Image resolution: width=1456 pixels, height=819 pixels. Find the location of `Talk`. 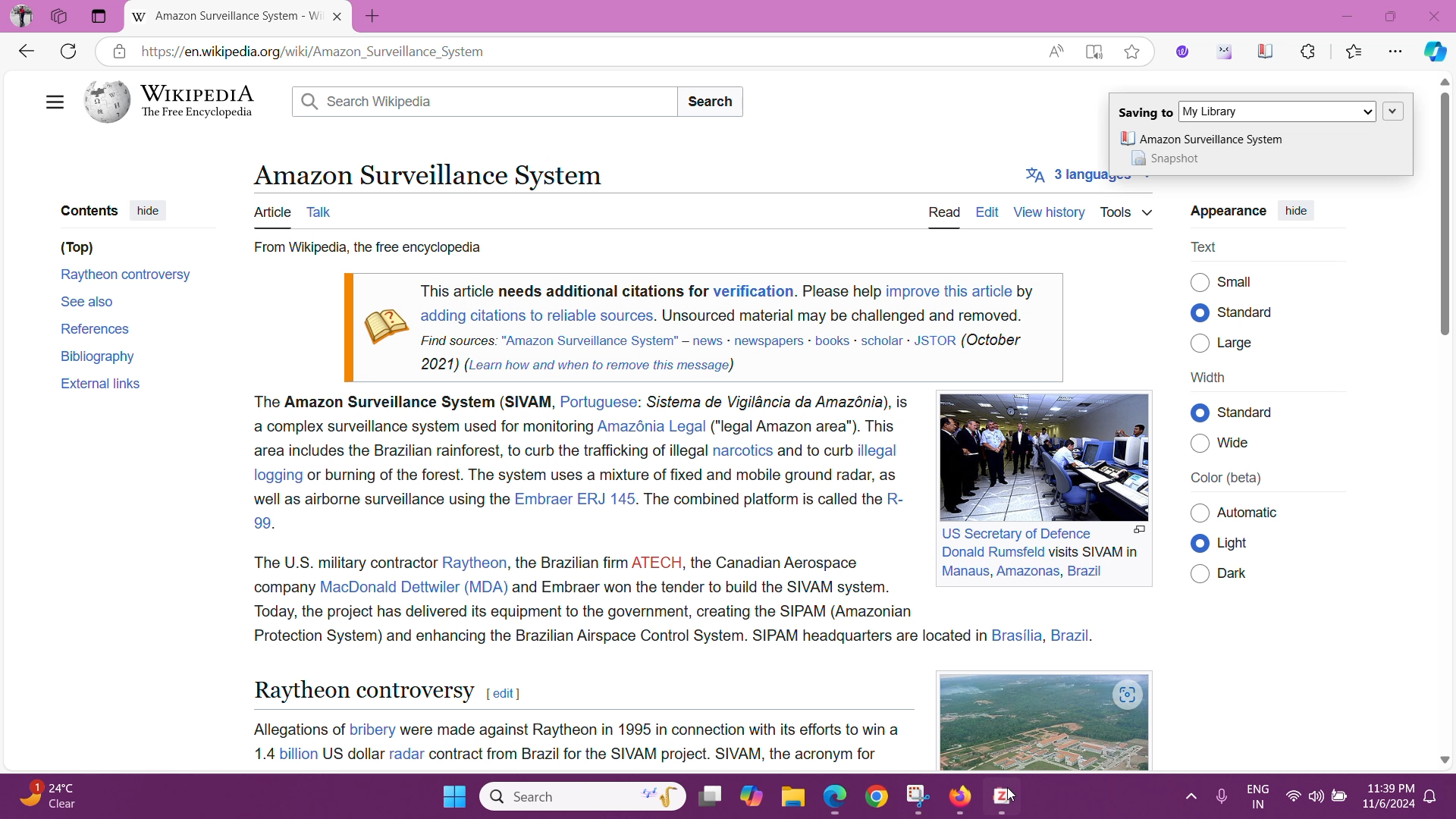

Talk is located at coordinates (323, 211).